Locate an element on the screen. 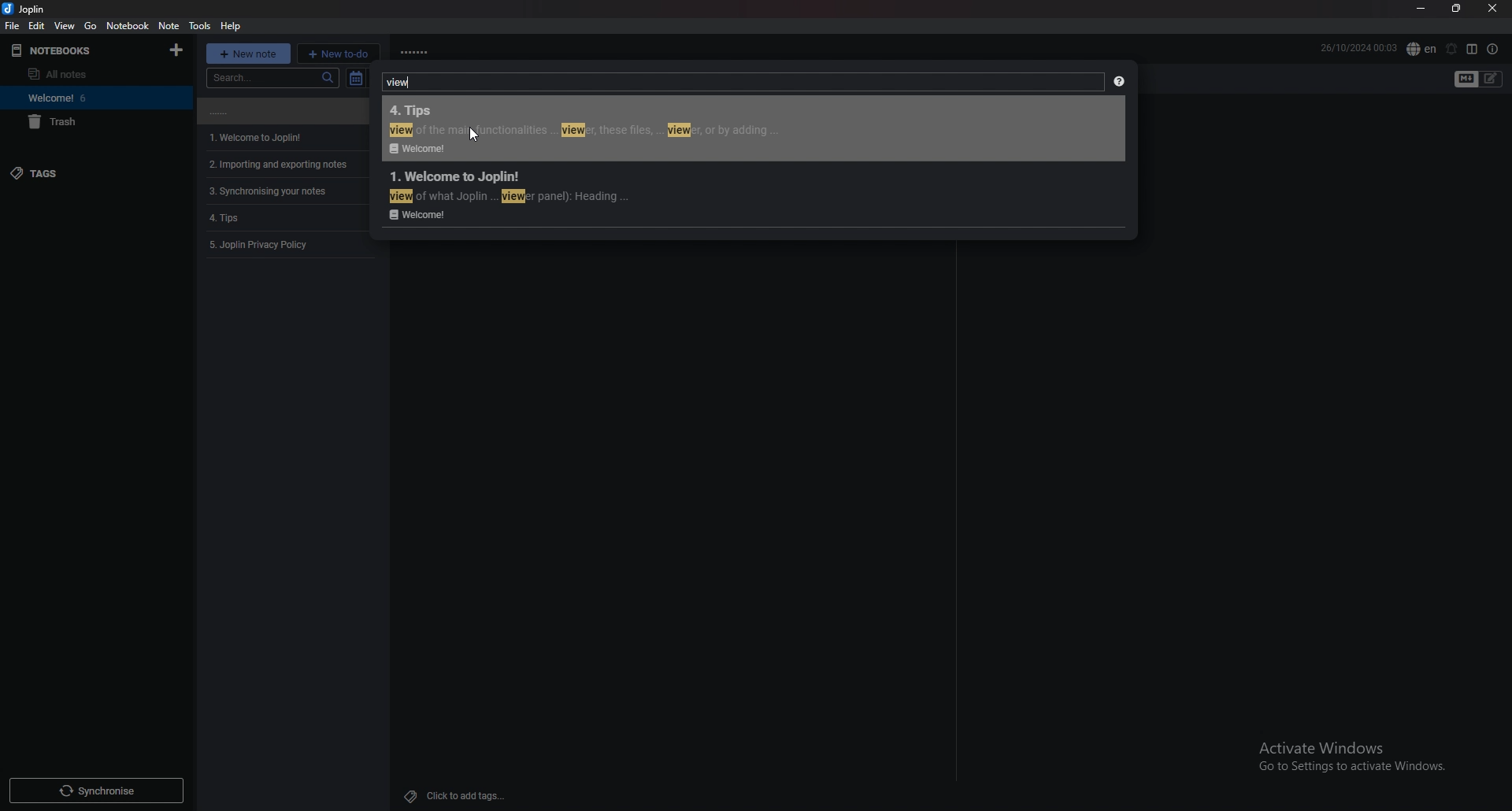 Image resolution: width=1512 pixels, height=811 pixels. toggle sort order field is located at coordinates (355, 78).